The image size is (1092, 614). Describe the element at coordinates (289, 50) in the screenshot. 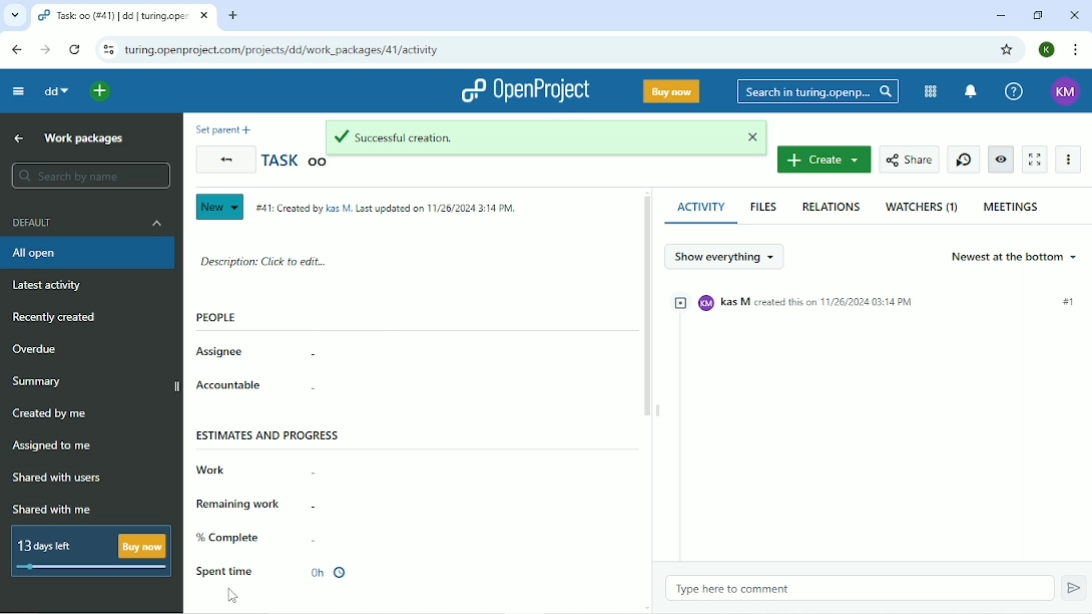

I see `turing.openproject.com/projects/dd/work_packages/41/activity` at that location.